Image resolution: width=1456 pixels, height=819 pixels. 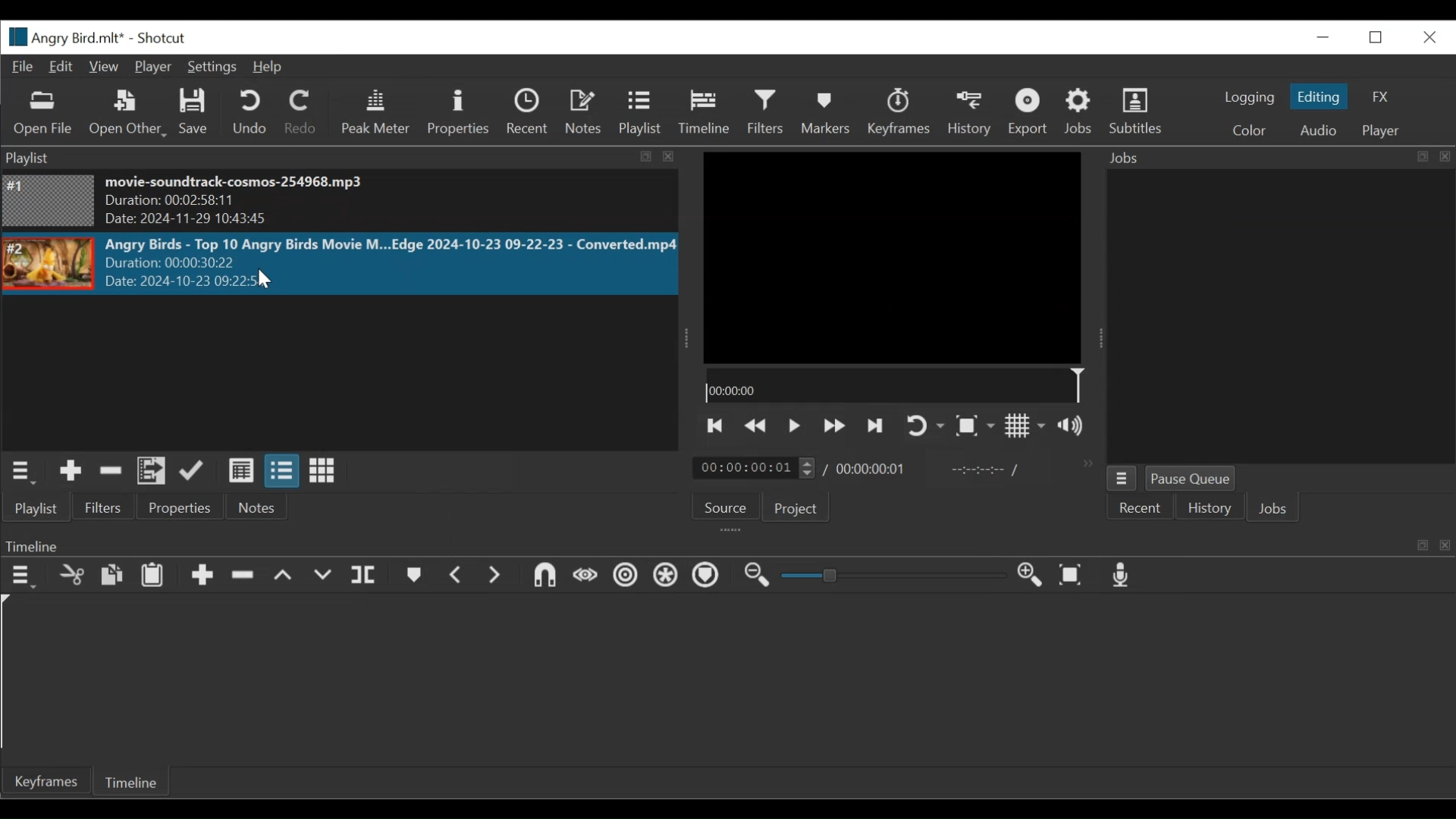 I want to click on / 00:00:00:01(Current duration), so click(x=748, y=467).